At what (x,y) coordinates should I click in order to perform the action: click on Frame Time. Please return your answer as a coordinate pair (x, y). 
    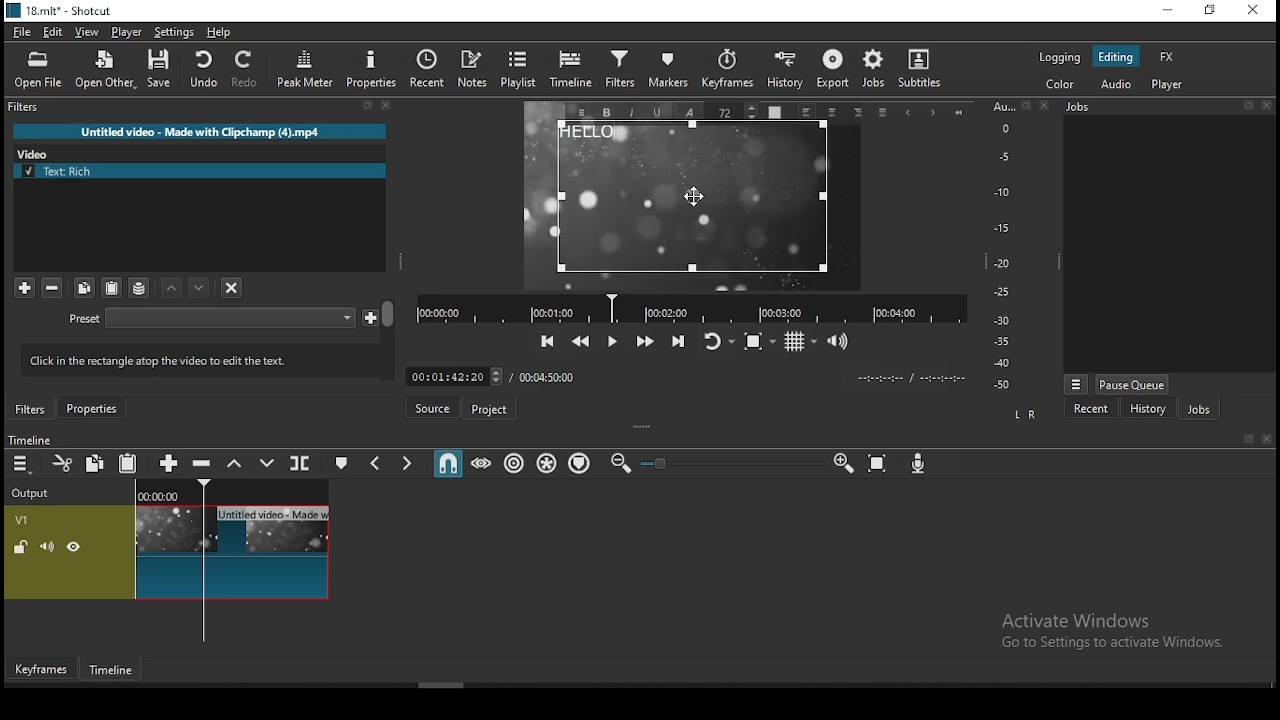
    Looking at the image, I should click on (454, 375).